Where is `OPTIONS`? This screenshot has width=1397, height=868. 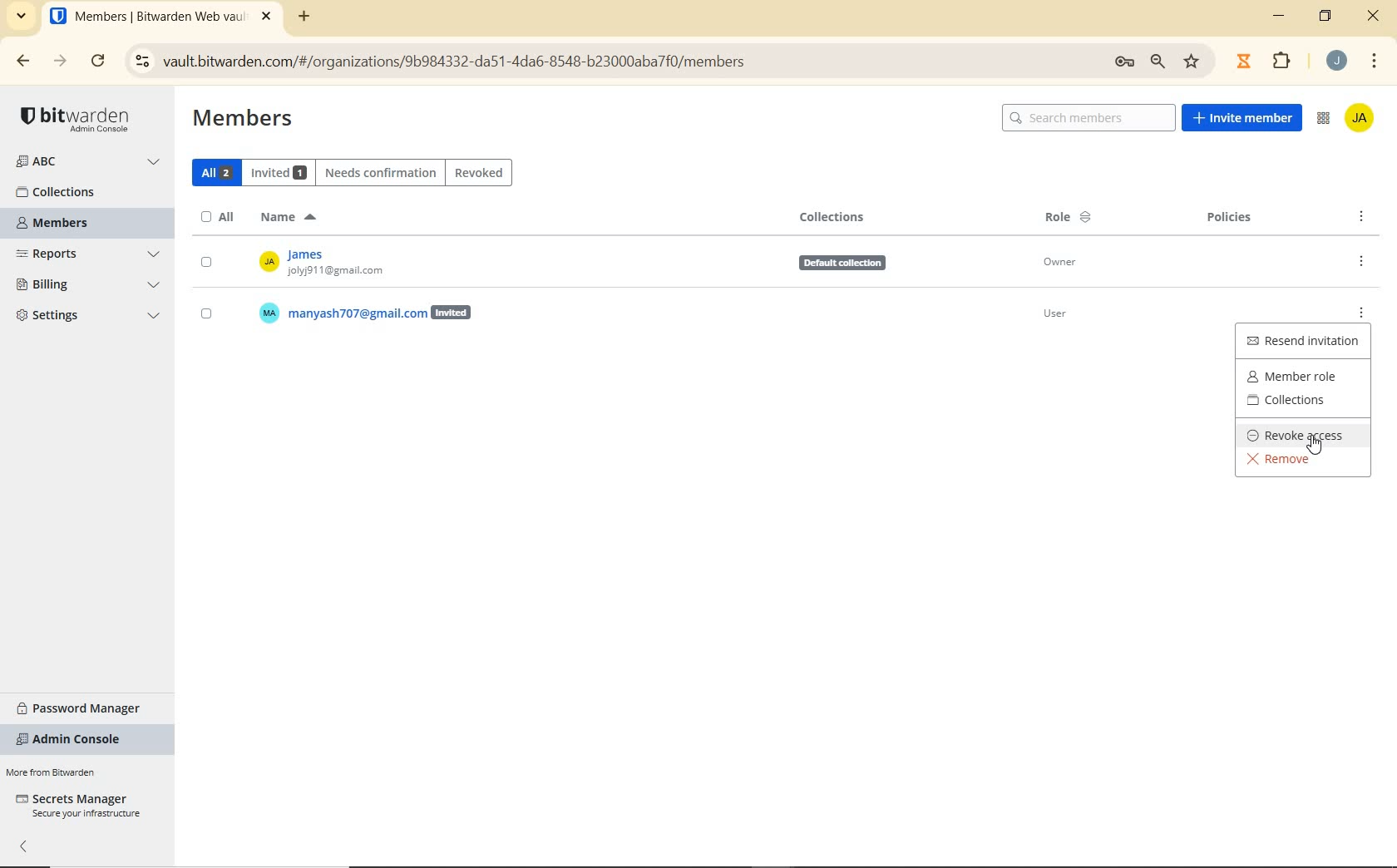 OPTIONS is located at coordinates (1365, 217).